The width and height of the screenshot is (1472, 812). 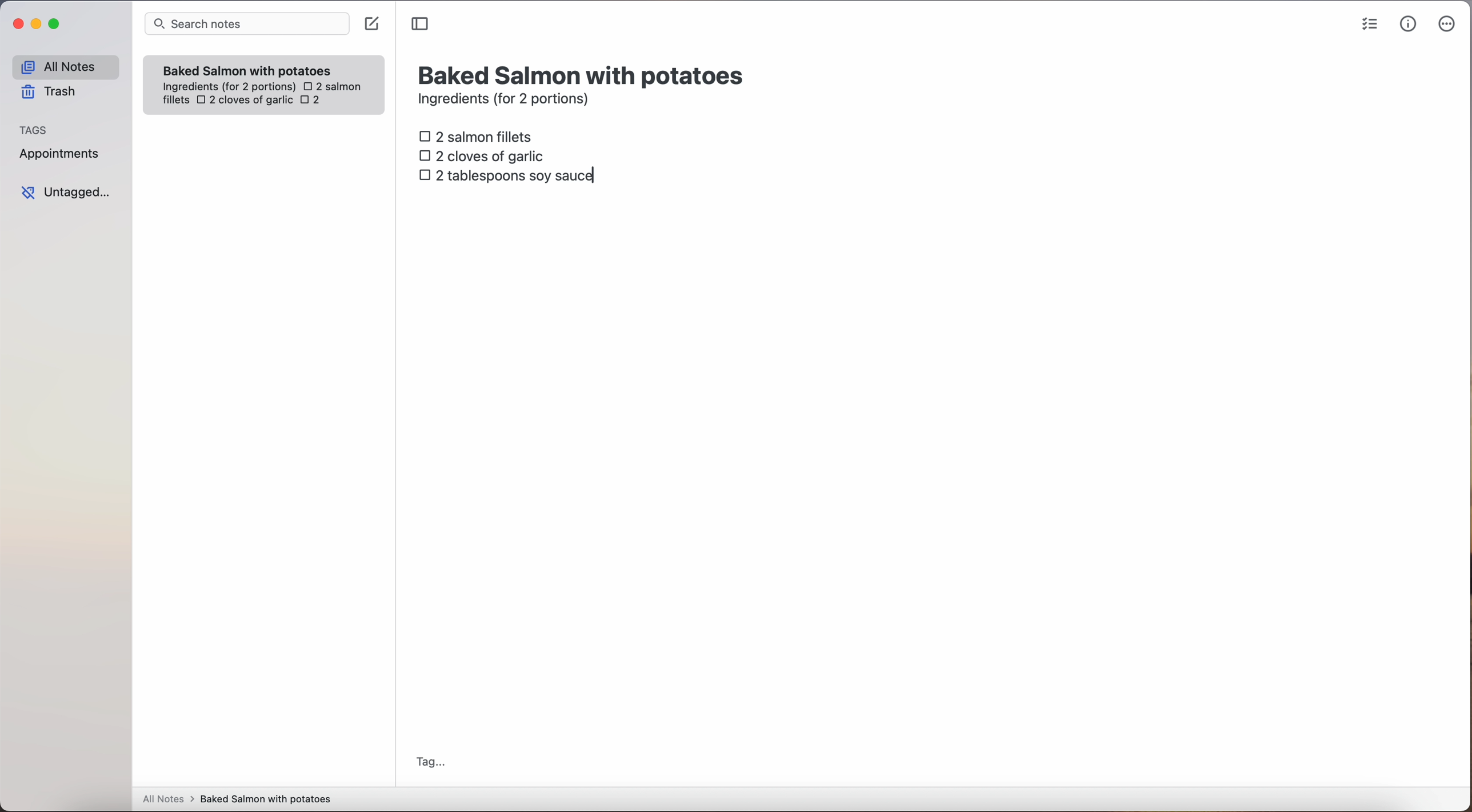 What do you see at coordinates (67, 192) in the screenshot?
I see `untagged` at bounding box center [67, 192].